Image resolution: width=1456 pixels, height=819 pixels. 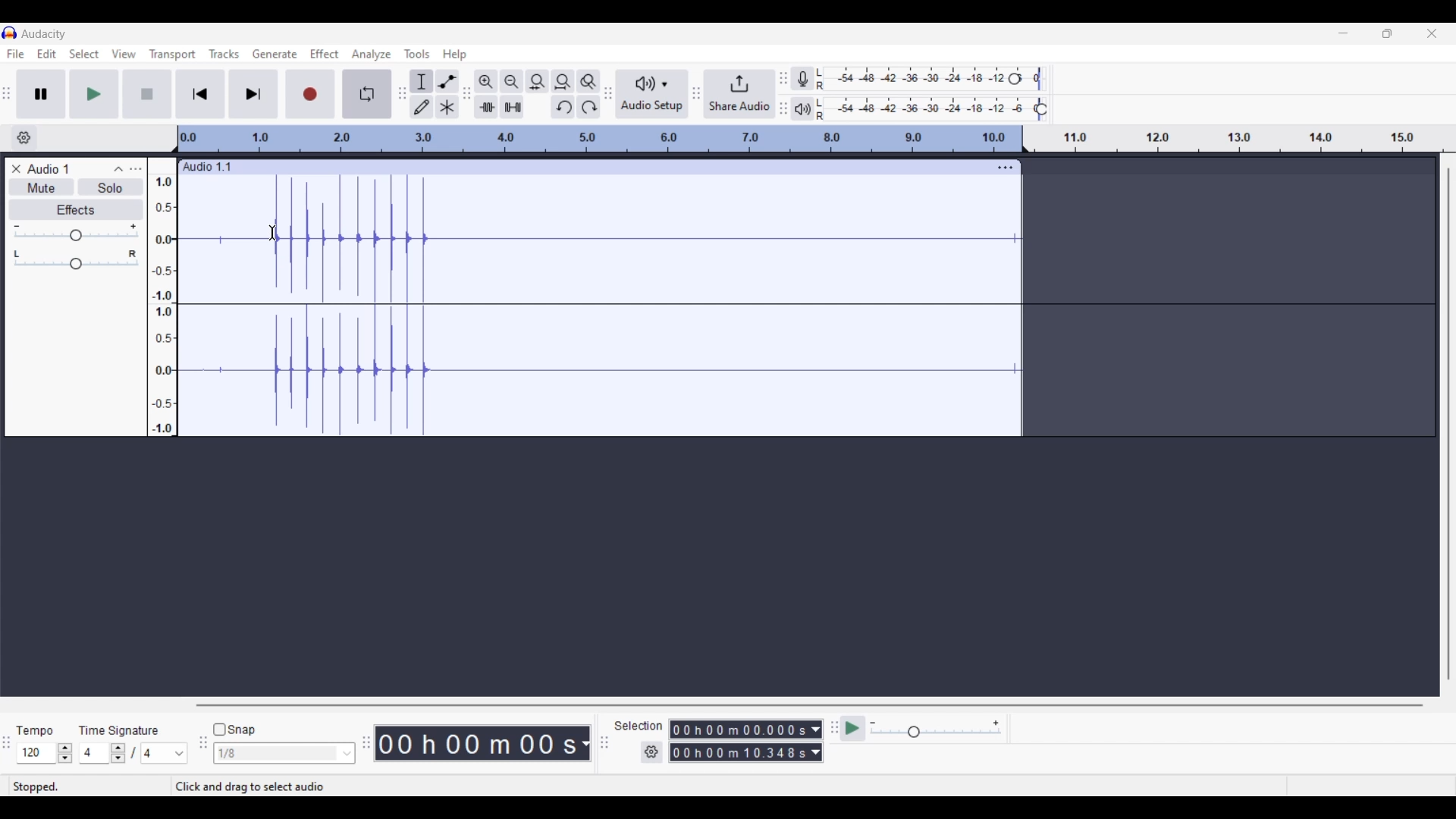 I want to click on Increase/Decrease time signature, so click(x=118, y=753).